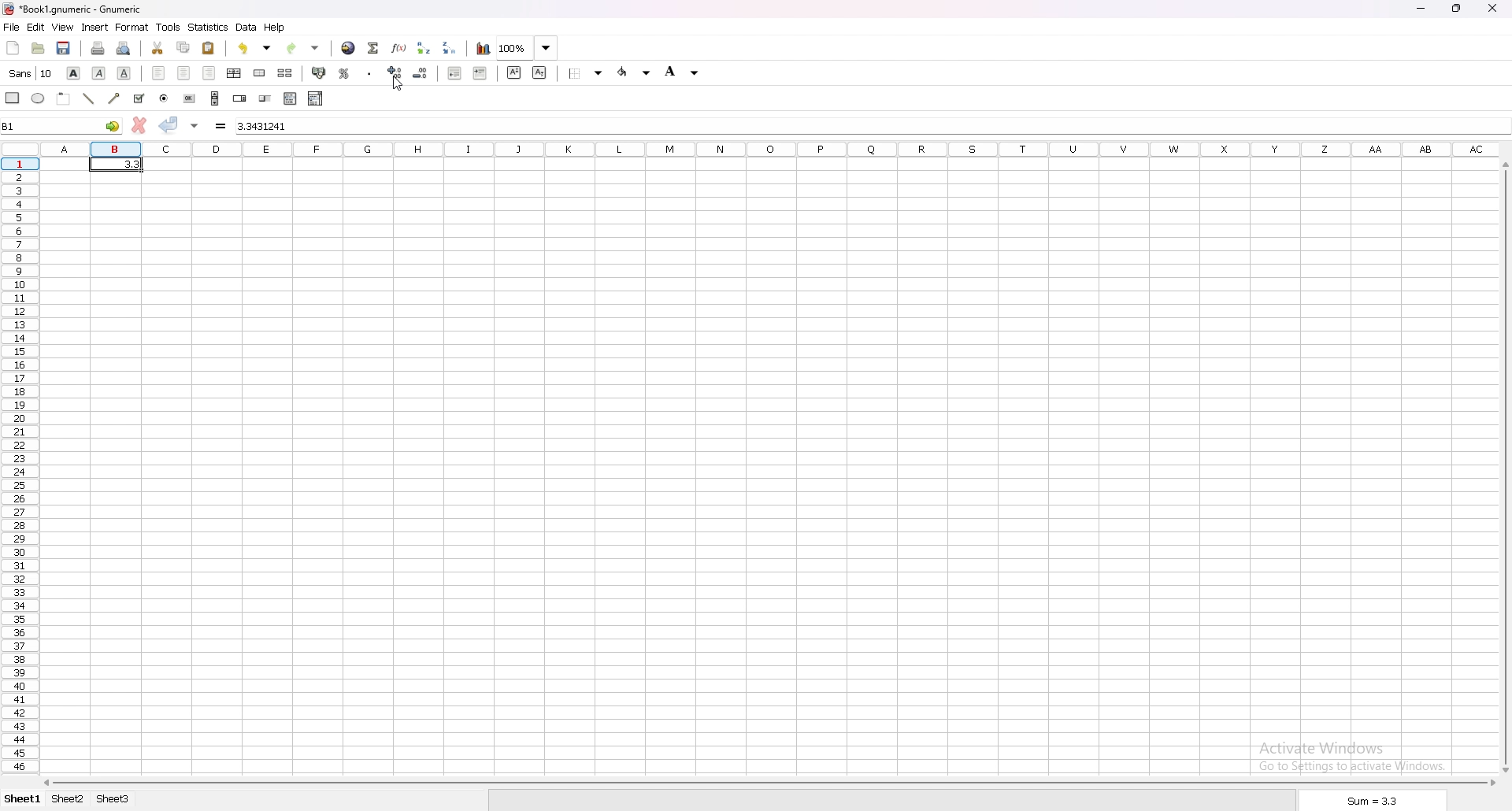 The width and height of the screenshot is (1512, 811). What do you see at coordinates (113, 98) in the screenshot?
I see `arrowed line` at bounding box center [113, 98].